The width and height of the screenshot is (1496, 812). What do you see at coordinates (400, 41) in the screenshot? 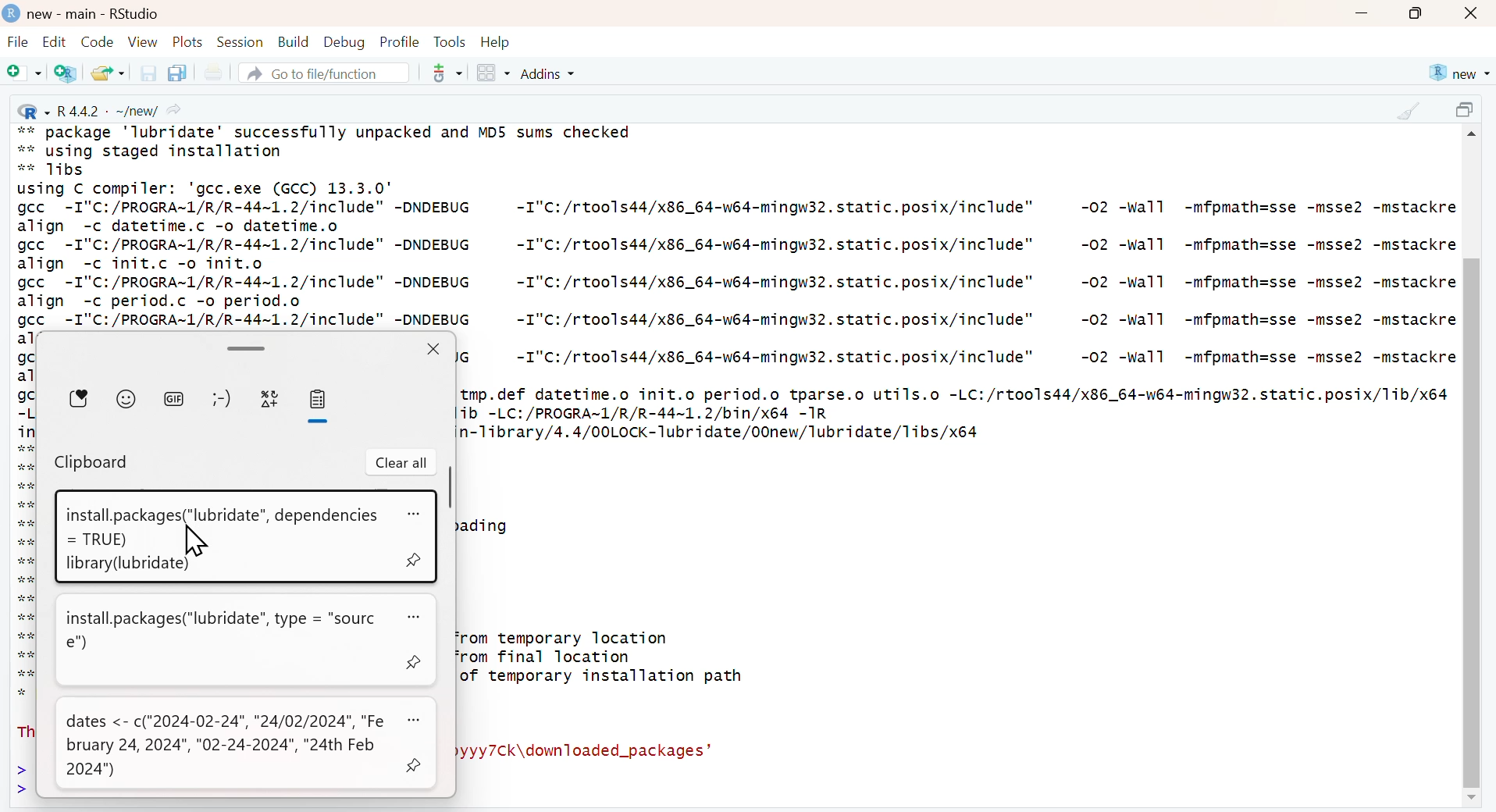
I see `Profile` at bounding box center [400, 41].